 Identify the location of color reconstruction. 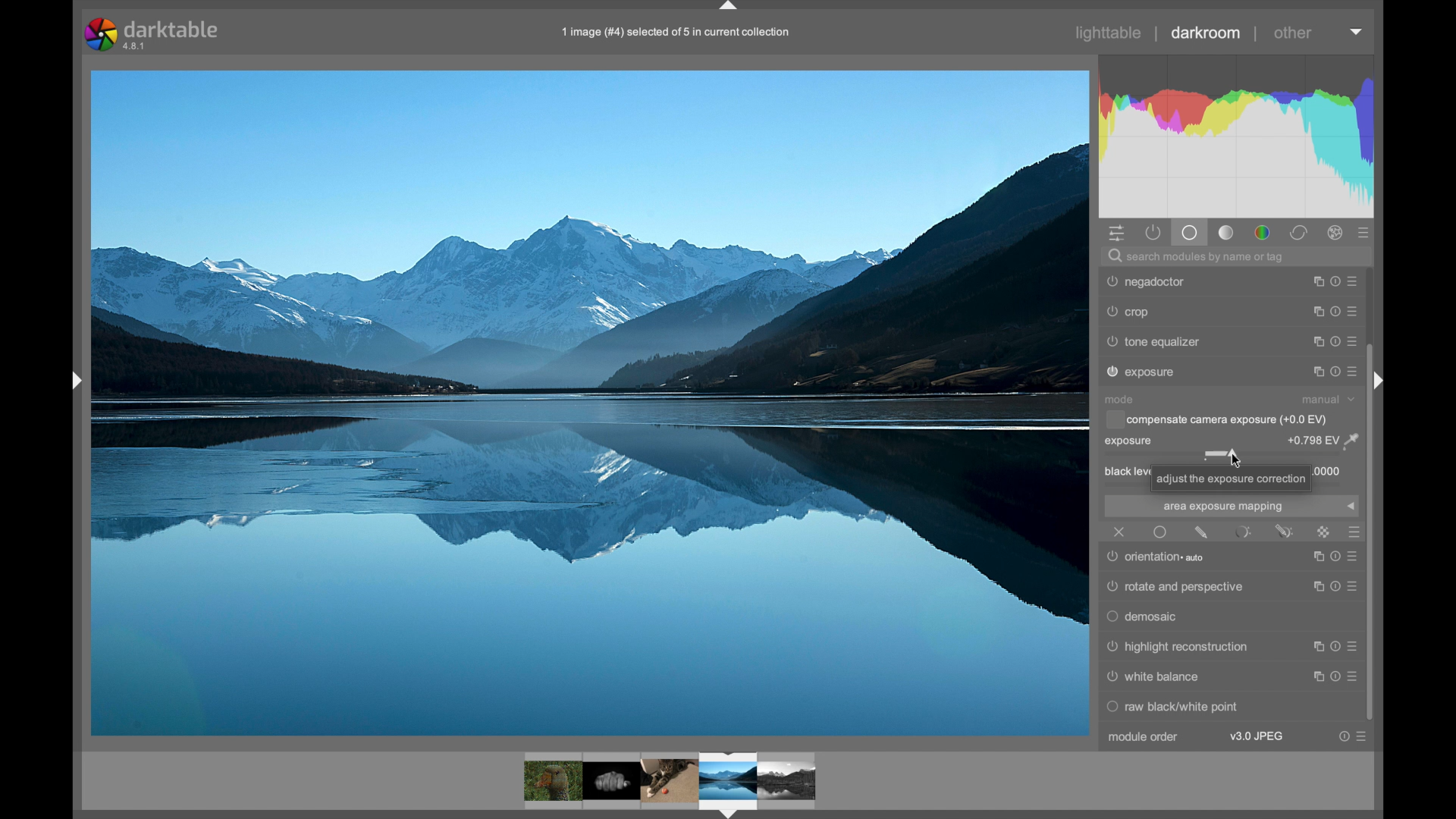
(1169, 281).